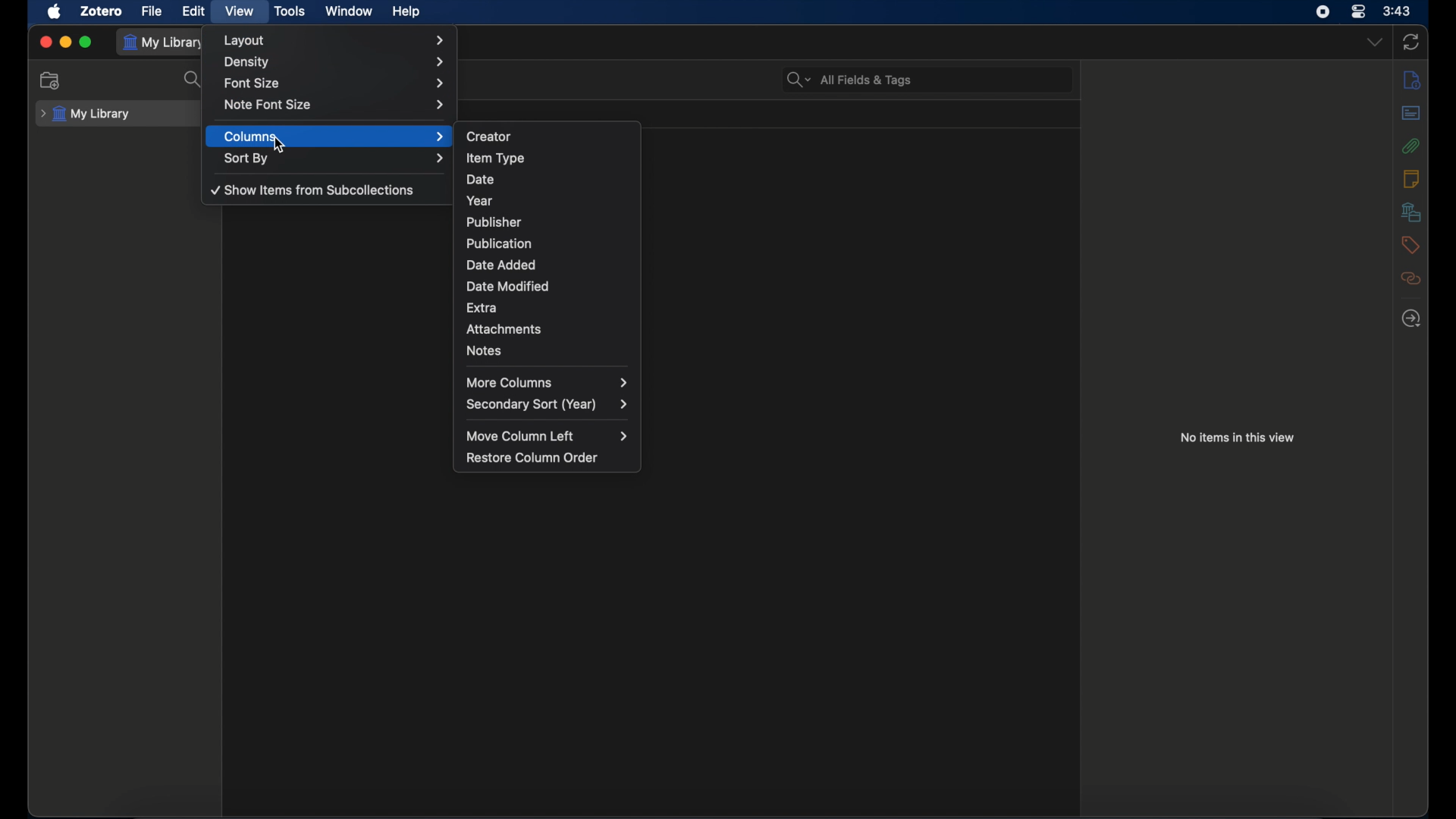 This screenshot has height=819, width=1456. What do you see at coordinates (1359, 11) in the screenshot?
I see `control center` at bounding box center [1359, 11].